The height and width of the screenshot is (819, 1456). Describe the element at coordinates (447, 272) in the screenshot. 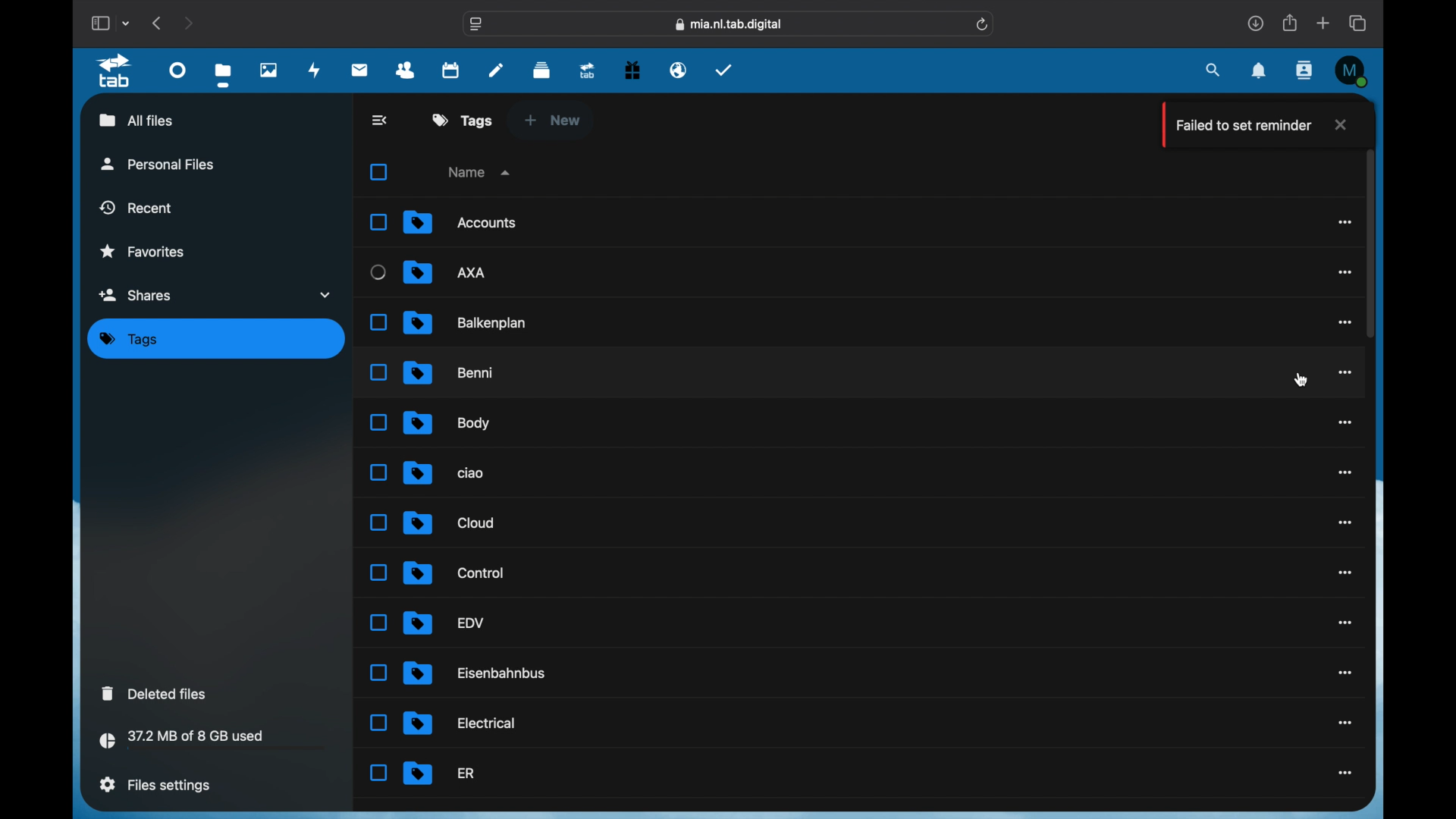

I see `file` at that location.